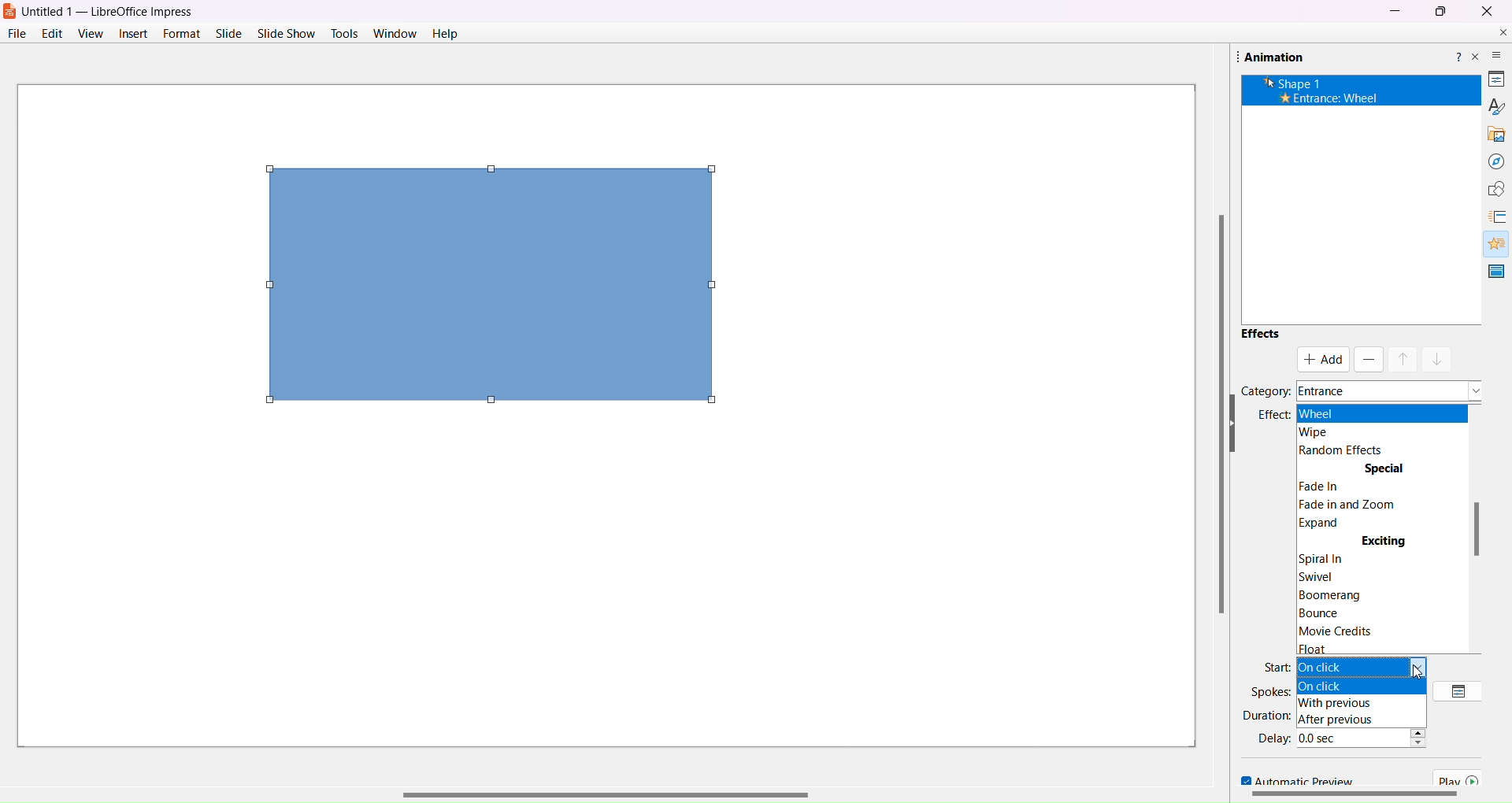  Describe the element at coordinates (1426, 741) in the screenshot. I see `Time Increase/Decrease` at that location.